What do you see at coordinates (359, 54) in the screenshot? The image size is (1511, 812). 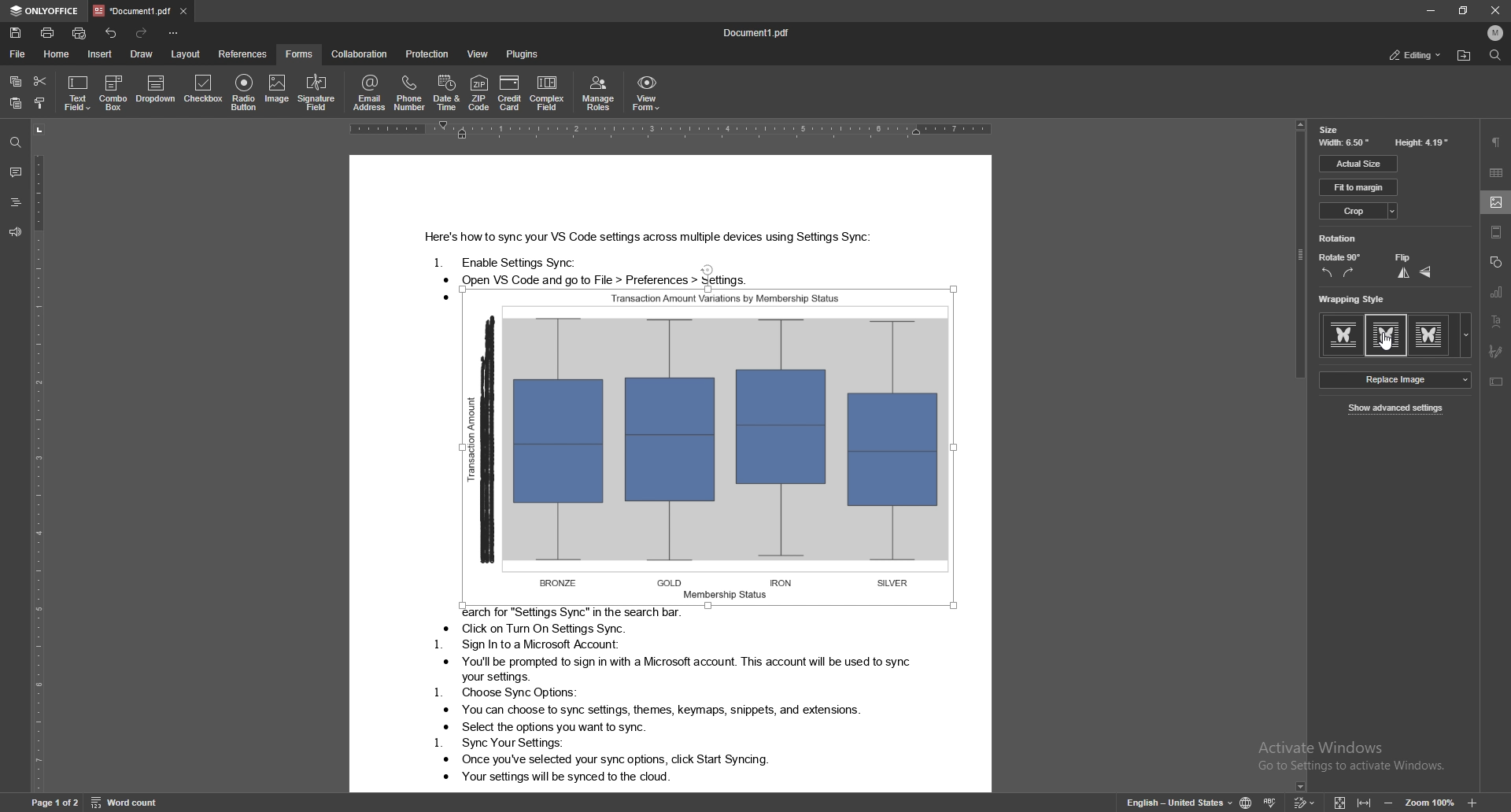 I see `collaboration` at bounding box center [359, 54].